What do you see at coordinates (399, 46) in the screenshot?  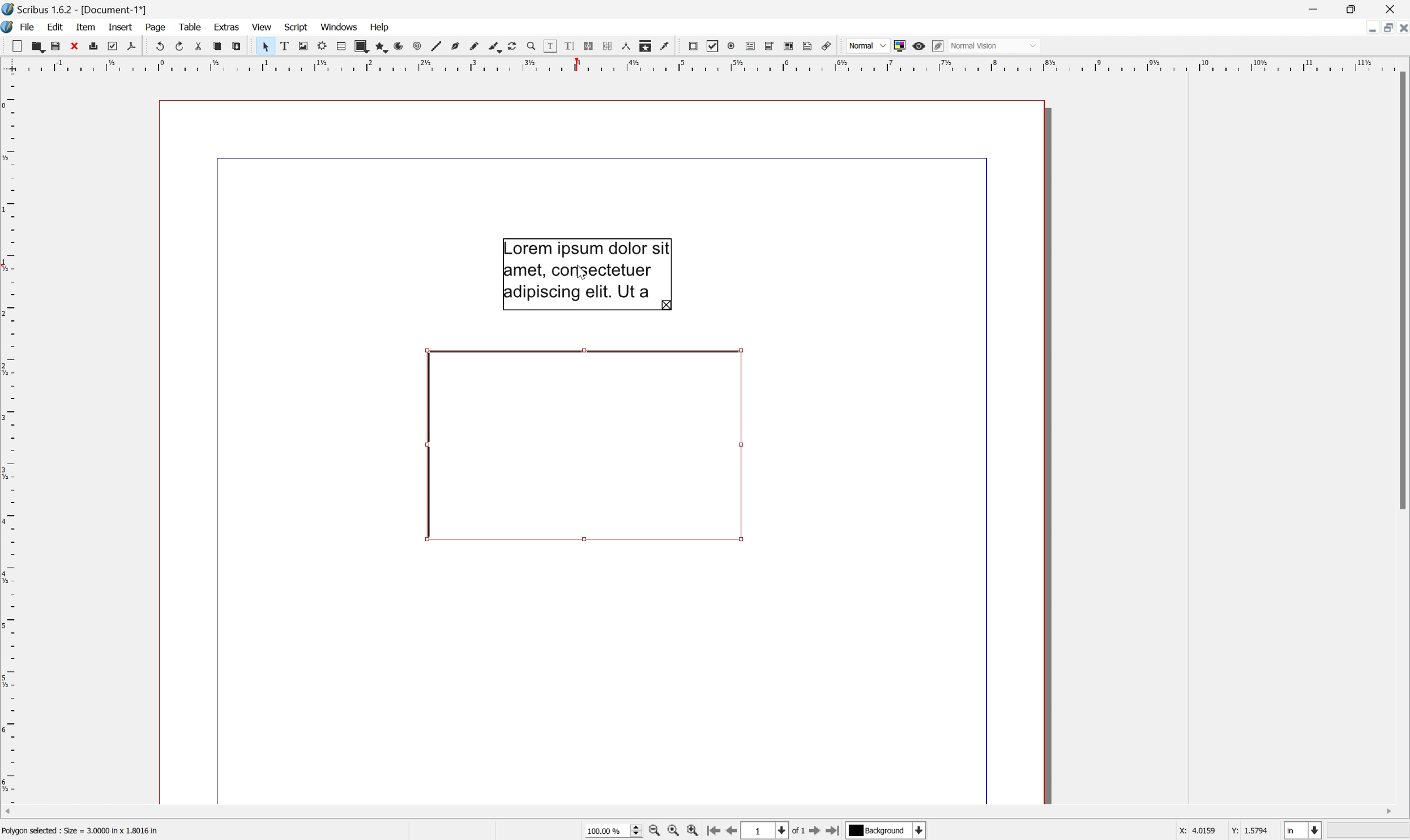 I see `Arc` at bounding box center [399, 46].